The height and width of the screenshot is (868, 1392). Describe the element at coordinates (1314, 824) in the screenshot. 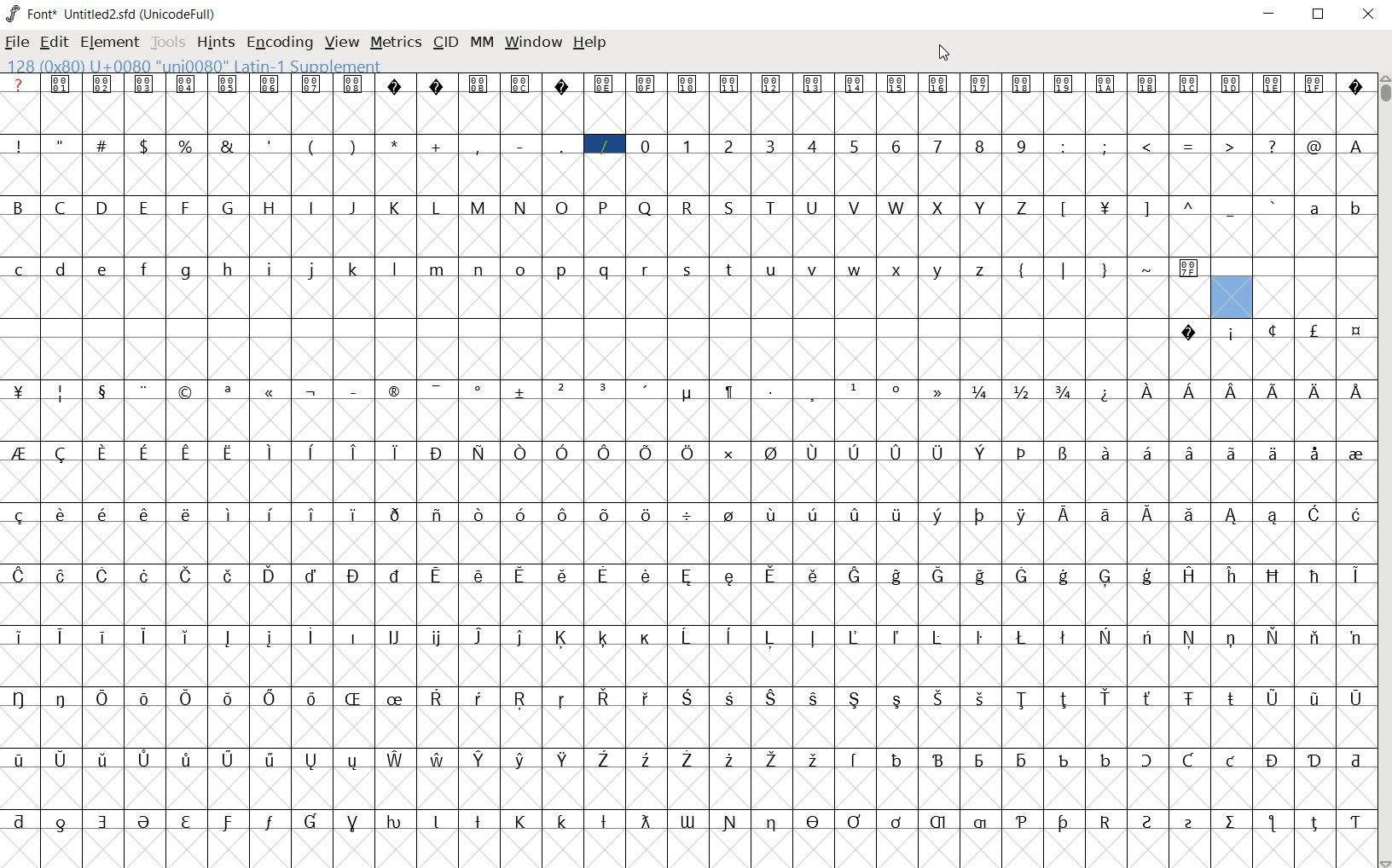

I see `glyph` at that location.